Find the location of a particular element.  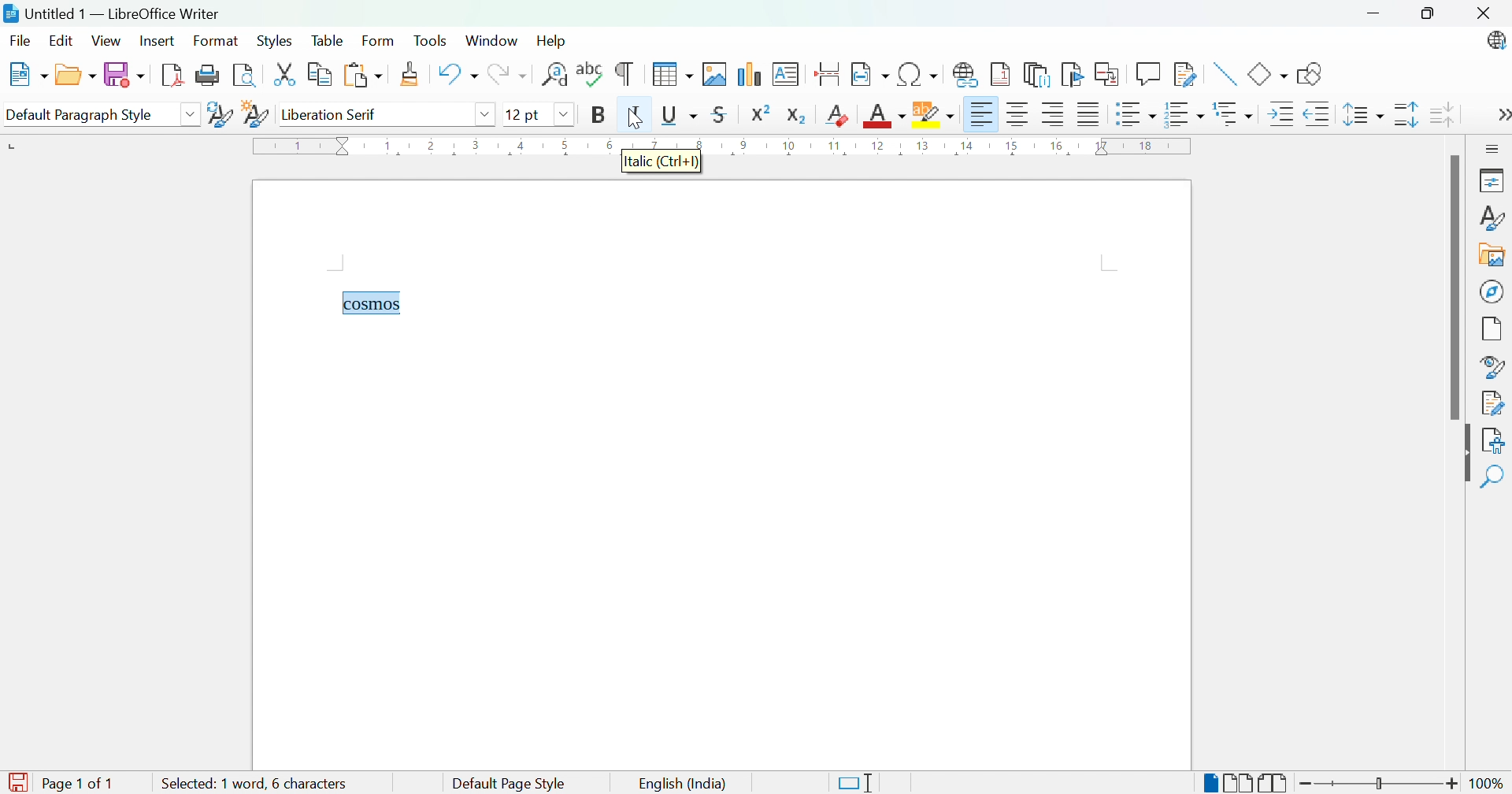

Styles is located at coordinates (273, 43).